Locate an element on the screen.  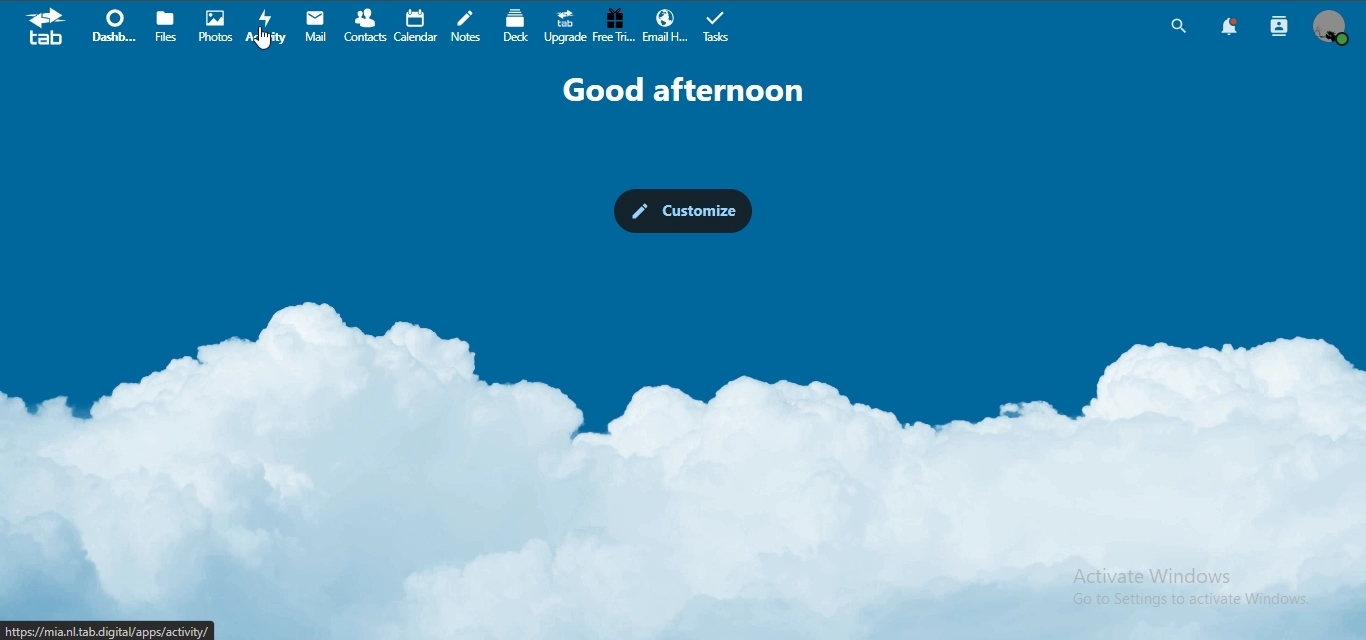
deck is located at coordinates (515, 24).